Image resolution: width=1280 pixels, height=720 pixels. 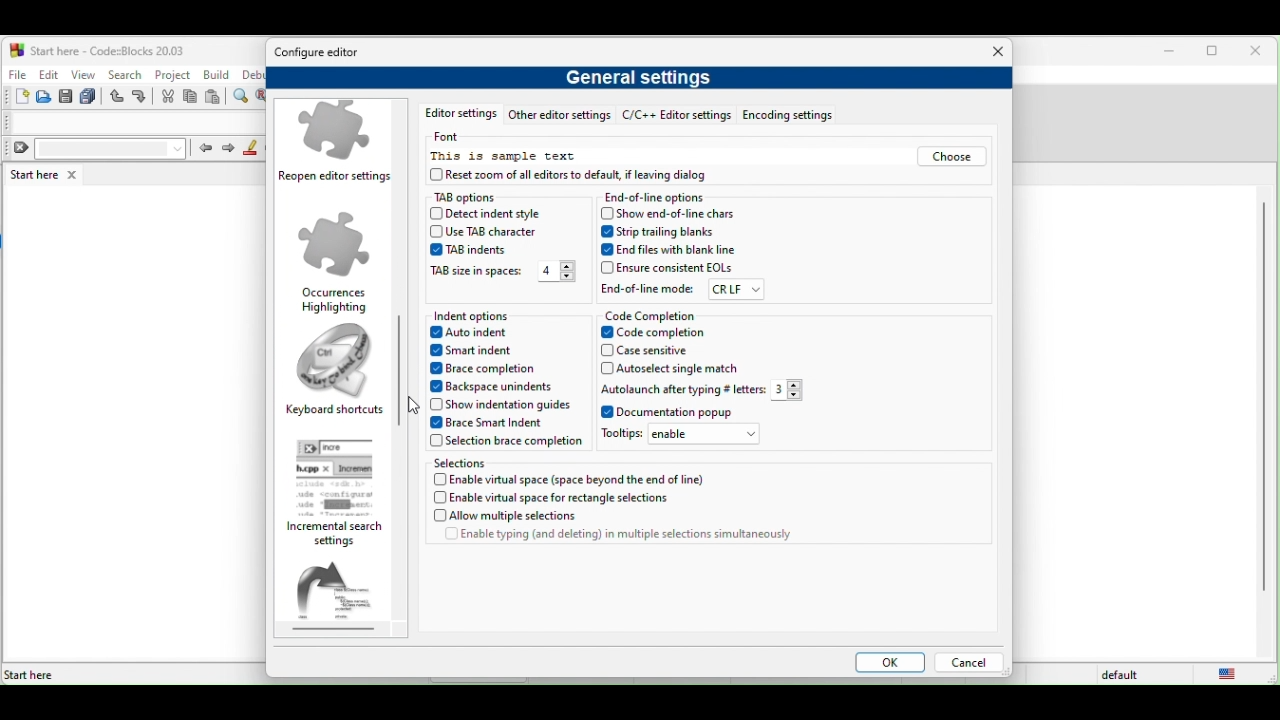 I want to click on cancel, so click(x=968, y=664).